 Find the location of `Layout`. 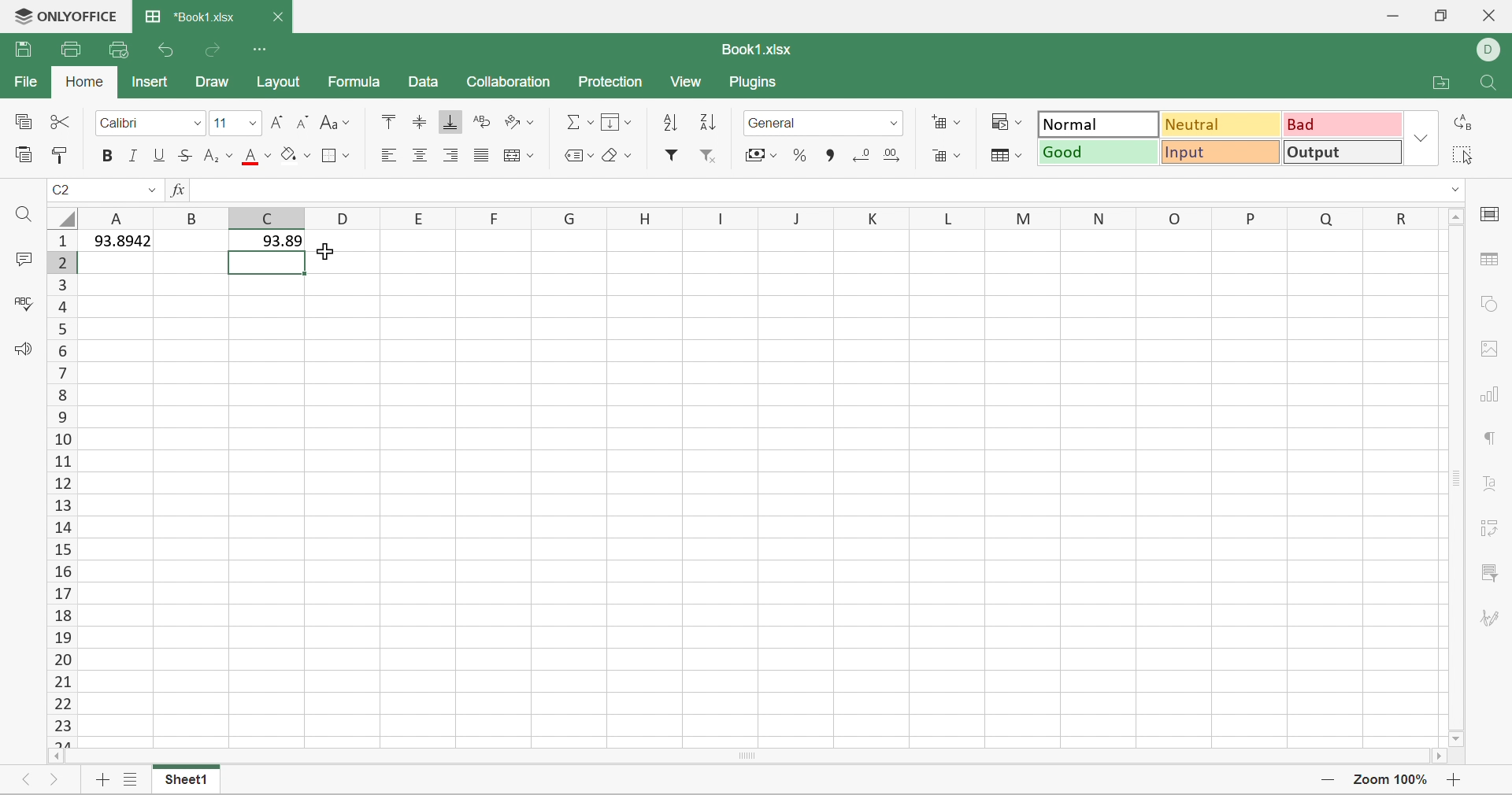

Layout is located at coordinates (282, 86).